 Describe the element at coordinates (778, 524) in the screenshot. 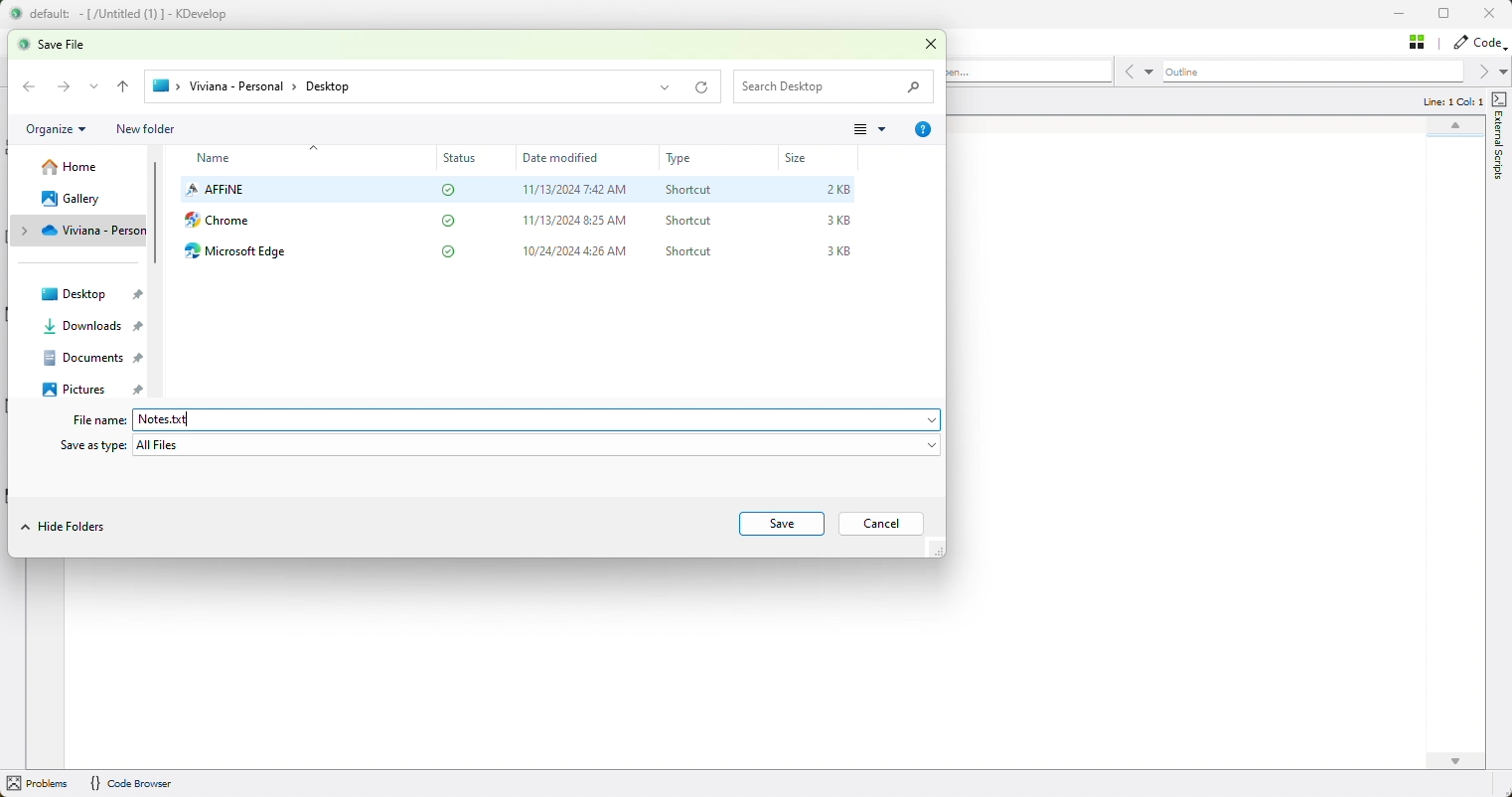

I see `save` at that location.